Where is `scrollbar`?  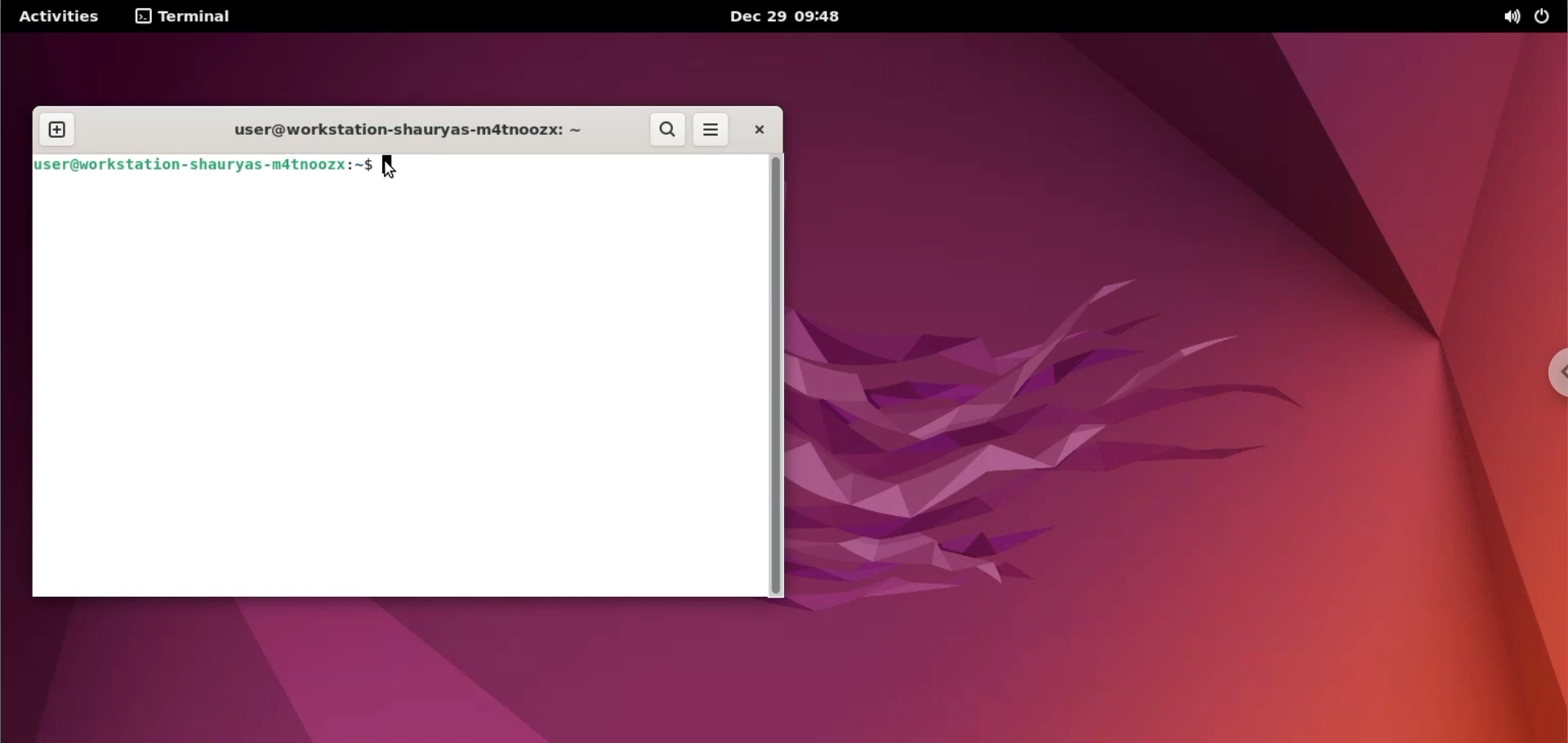
scrollbar is located at coordinates (780, 376).